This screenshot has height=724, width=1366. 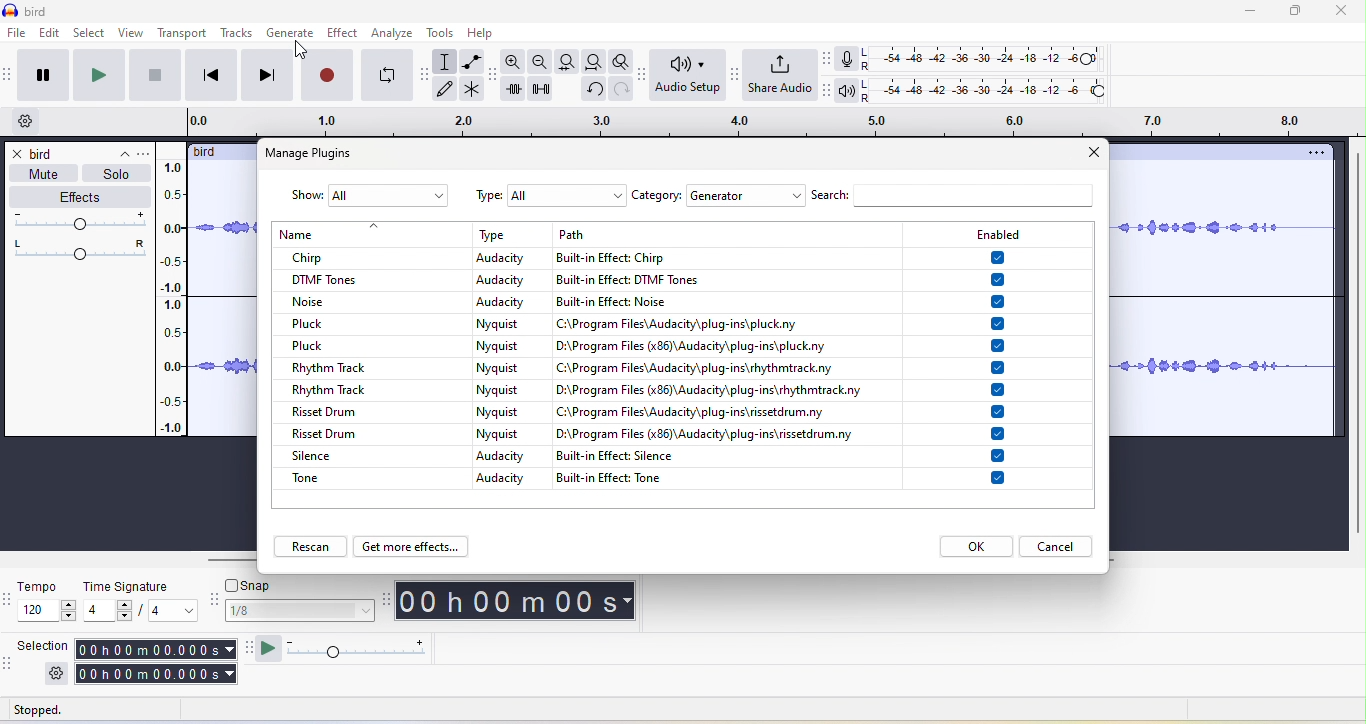 What do you see at coordinates (508, 381) in the screenshot?
I see `nyquist` at bounding box center [508, 381].